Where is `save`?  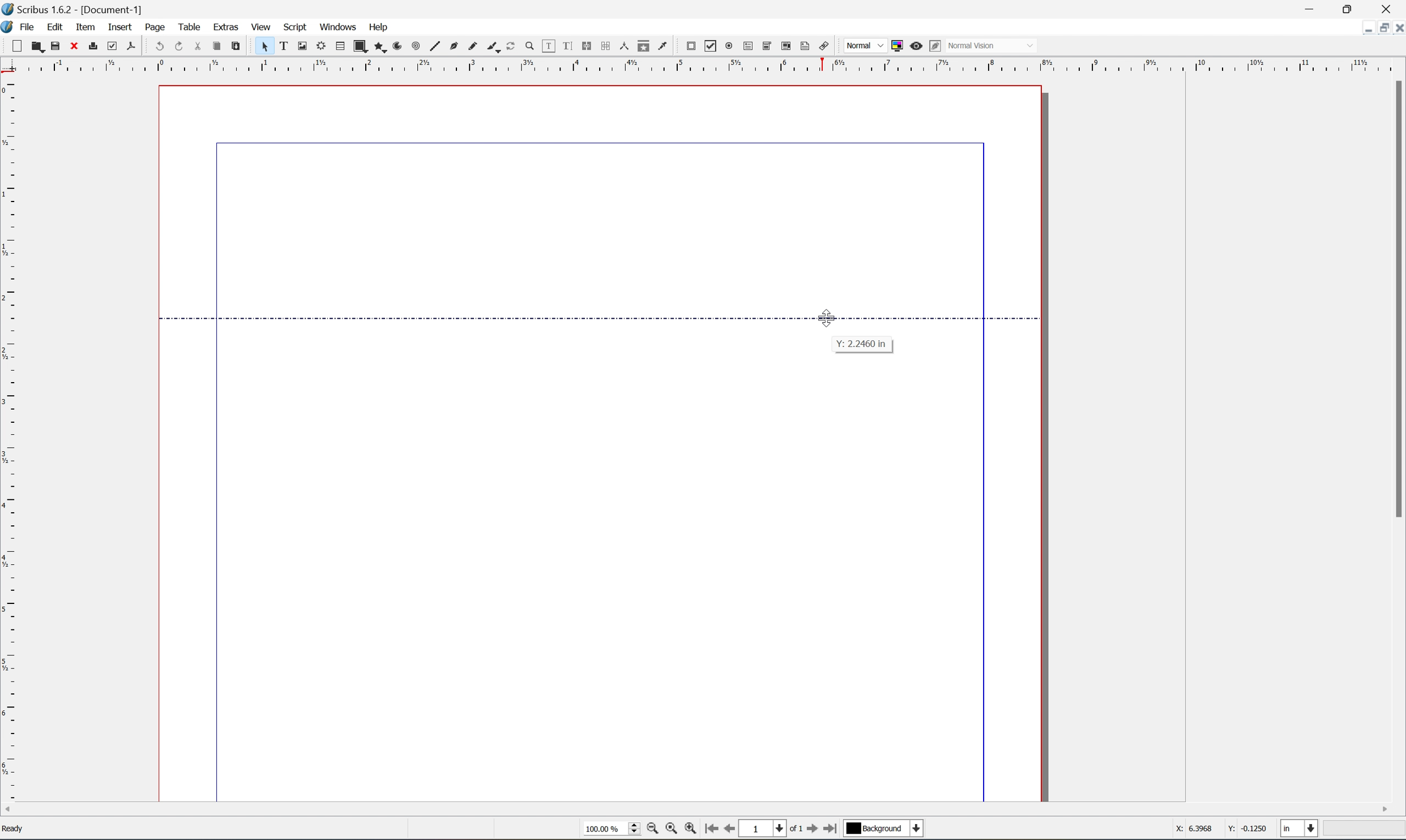
save is located at coordinates (54, 45).